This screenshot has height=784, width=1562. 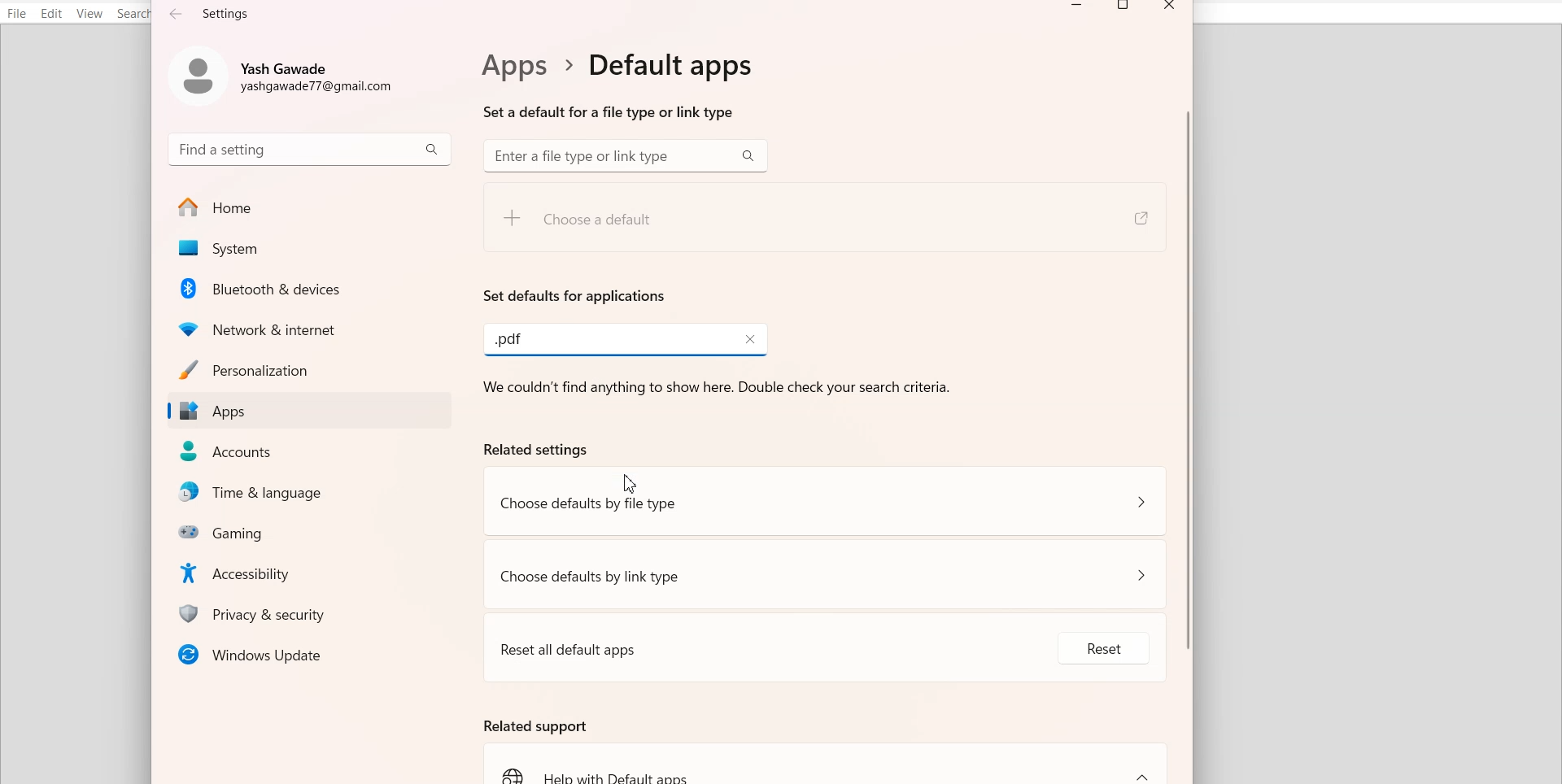 I want to click on Accounts, so click(x=311, y=451).